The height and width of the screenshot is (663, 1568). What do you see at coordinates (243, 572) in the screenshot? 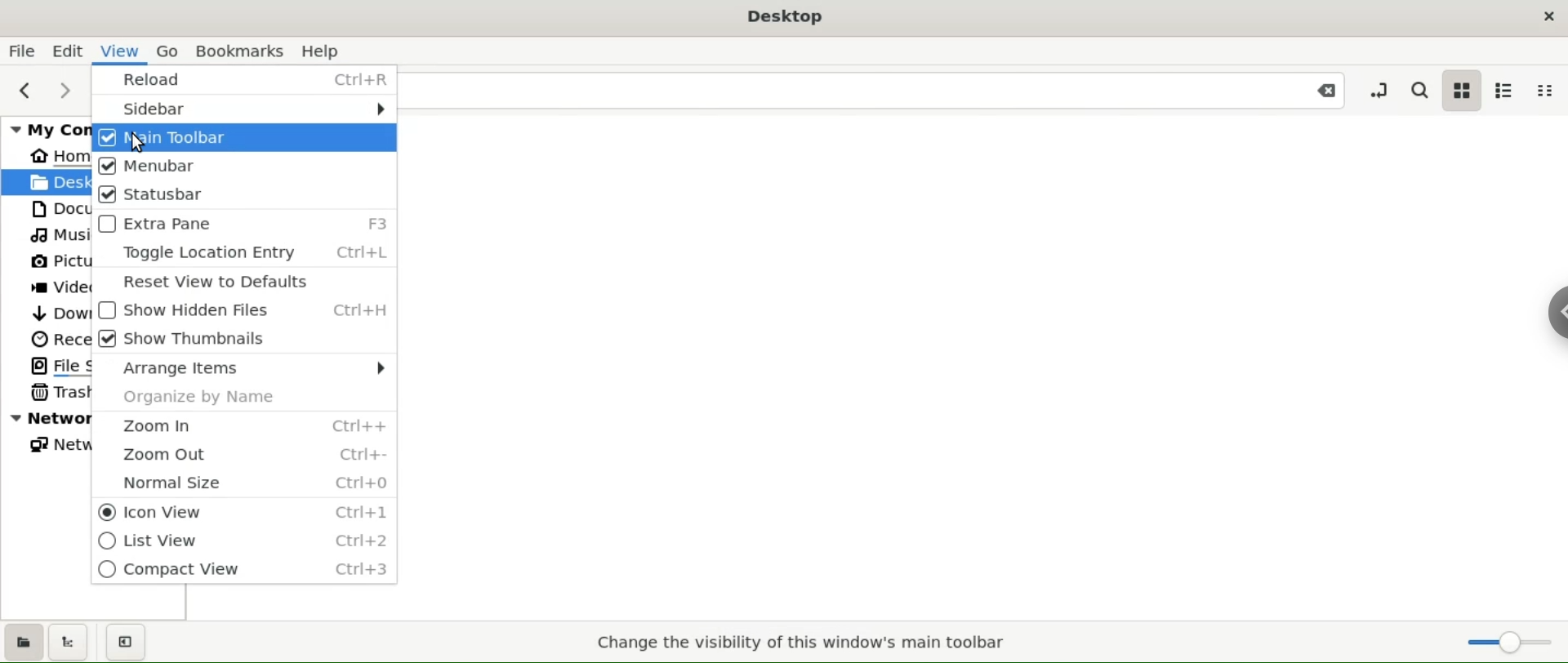
I see `compact view` at bounding box center [243, 572].